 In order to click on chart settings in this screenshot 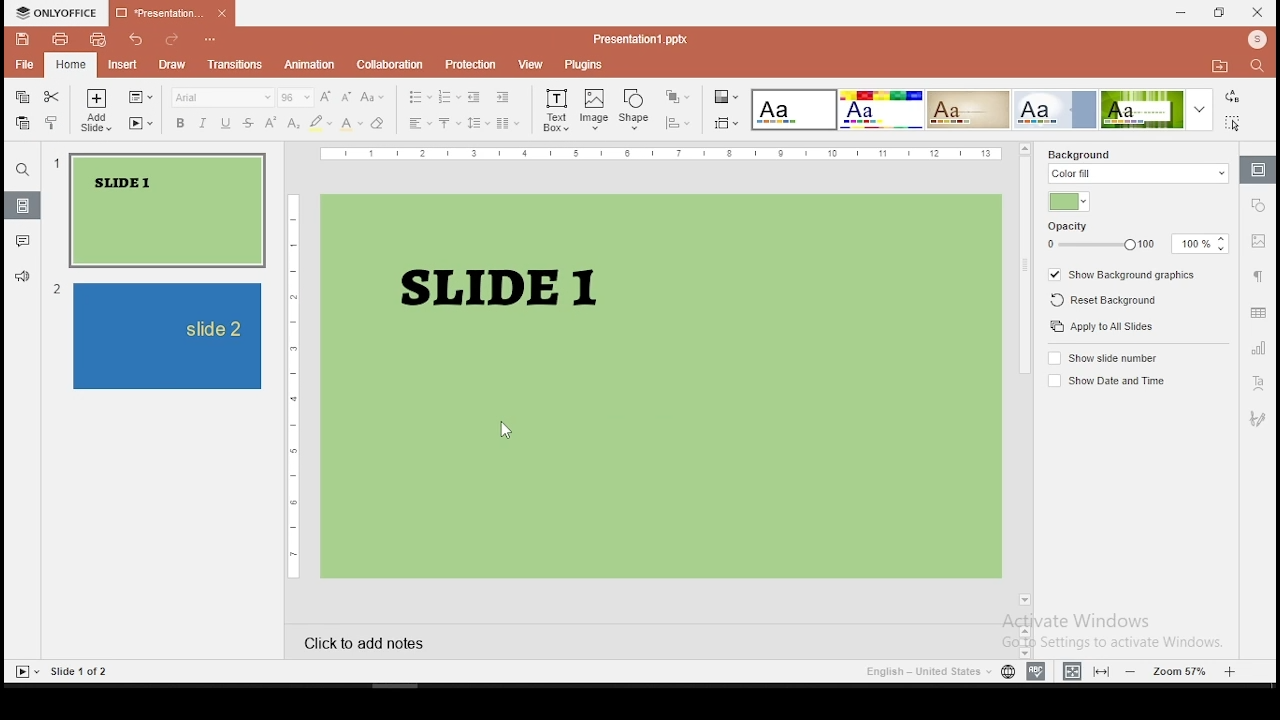, I will do `click(1258, 349)`.